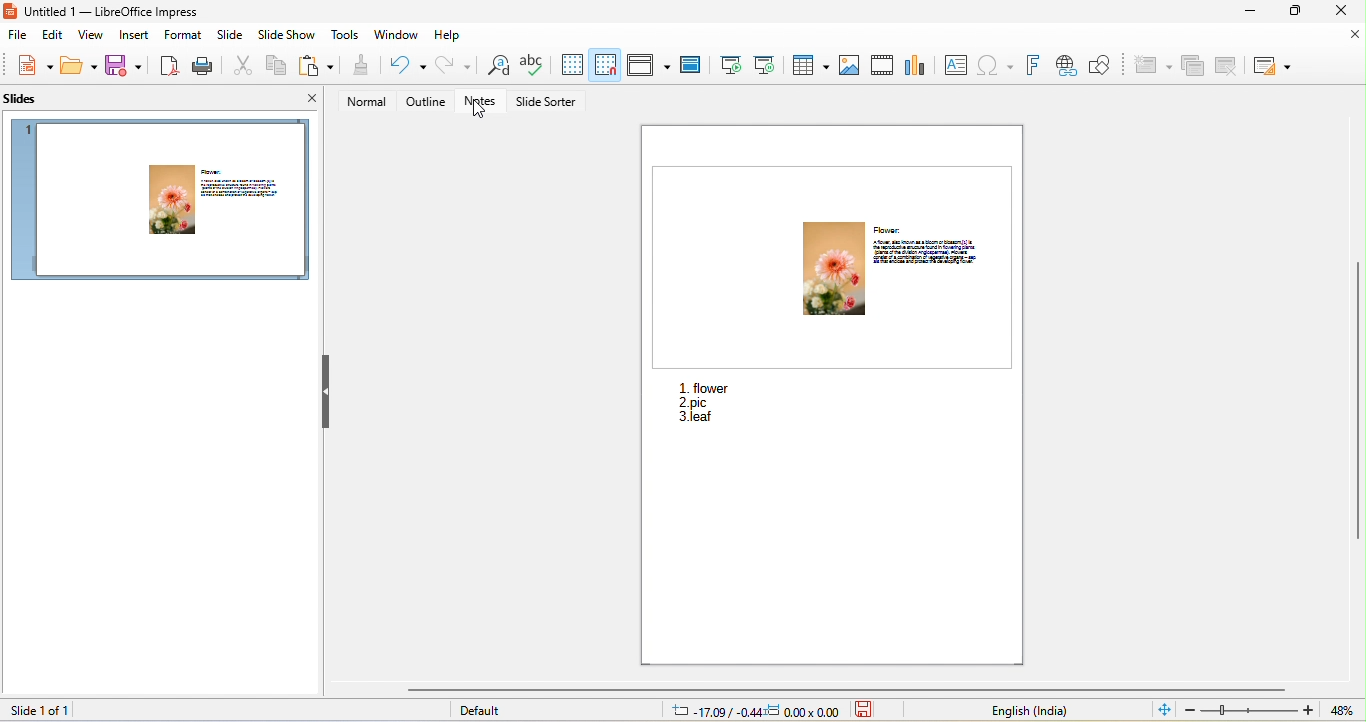  I want to click on chart, so click(912, 64).